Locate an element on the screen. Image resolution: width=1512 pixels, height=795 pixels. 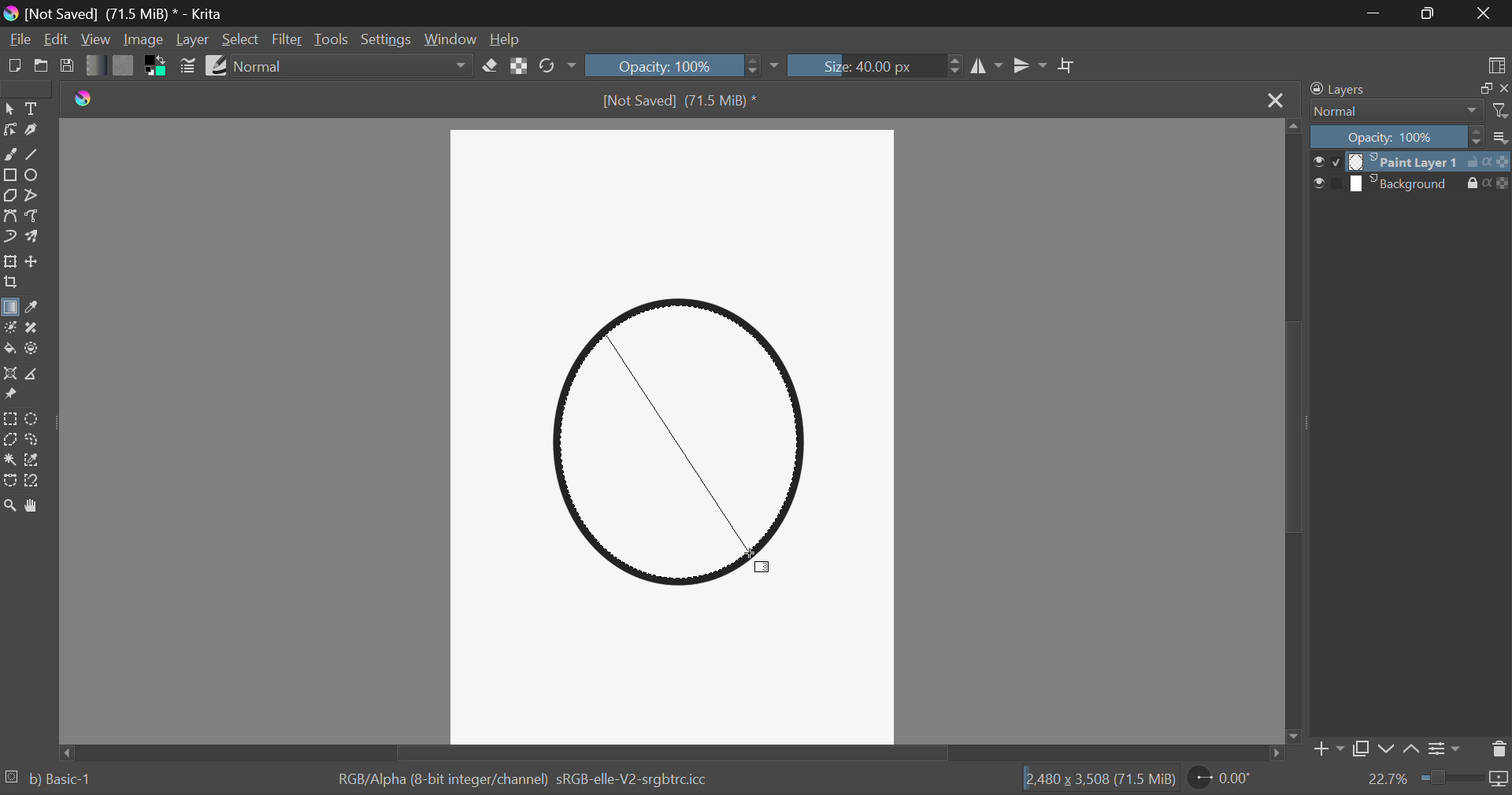
Settings is located at coordinates (384, 39).